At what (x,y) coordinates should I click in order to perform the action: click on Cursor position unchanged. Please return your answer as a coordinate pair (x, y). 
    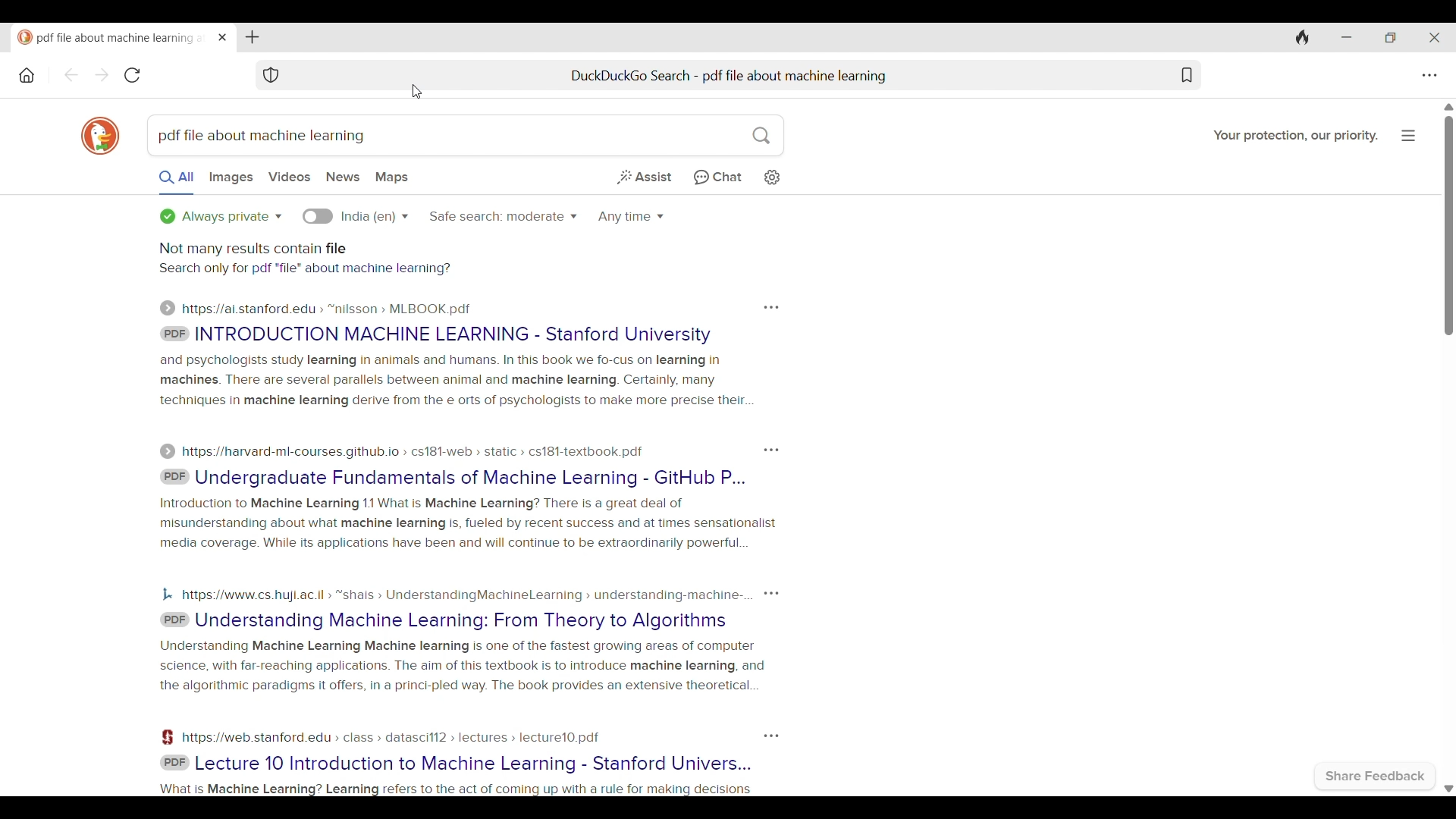
    Looking at the image, I should click on (417, 92).